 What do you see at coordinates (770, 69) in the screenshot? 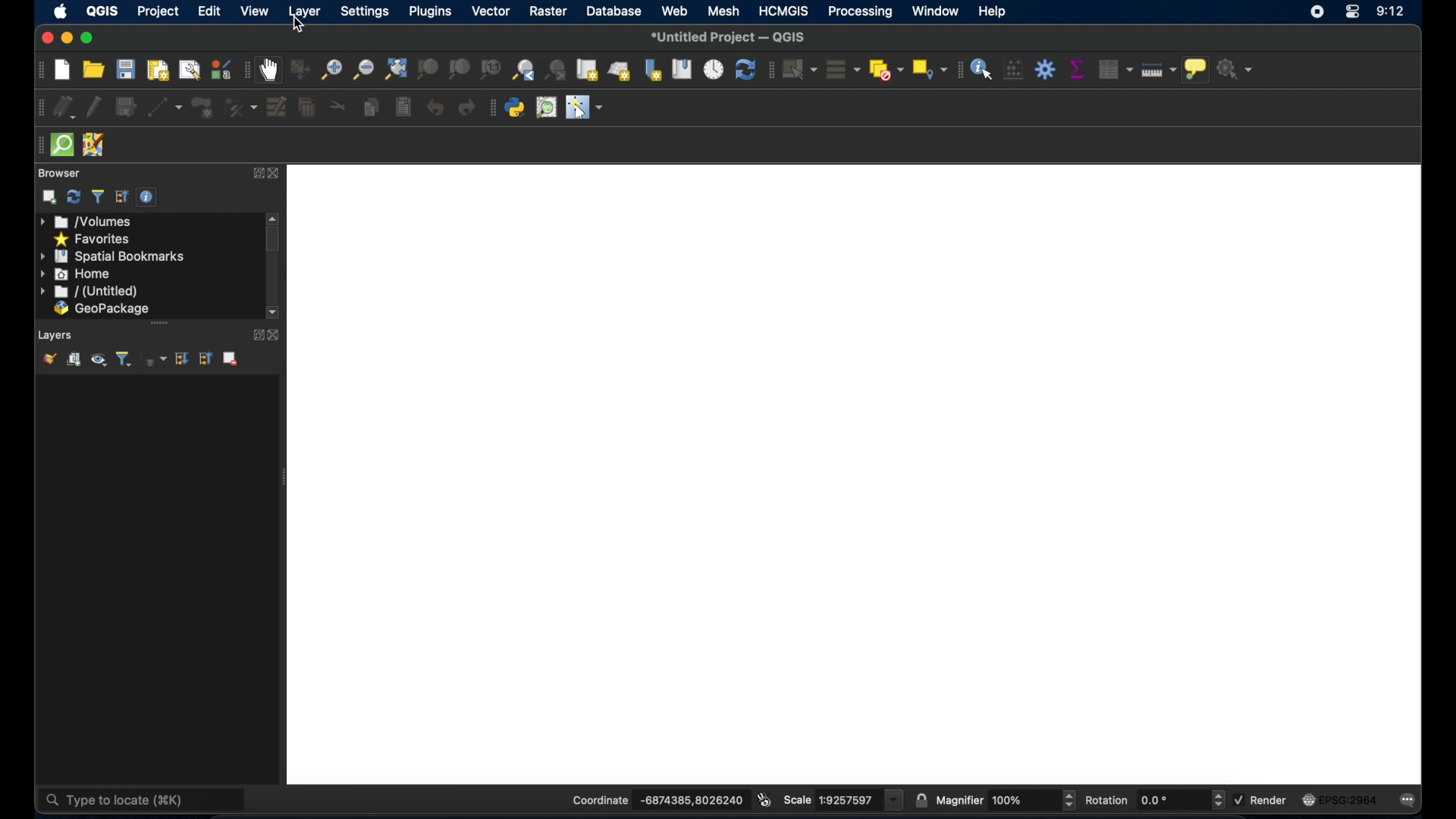
I see `selection toolbar` at bounding box center [770, 69].